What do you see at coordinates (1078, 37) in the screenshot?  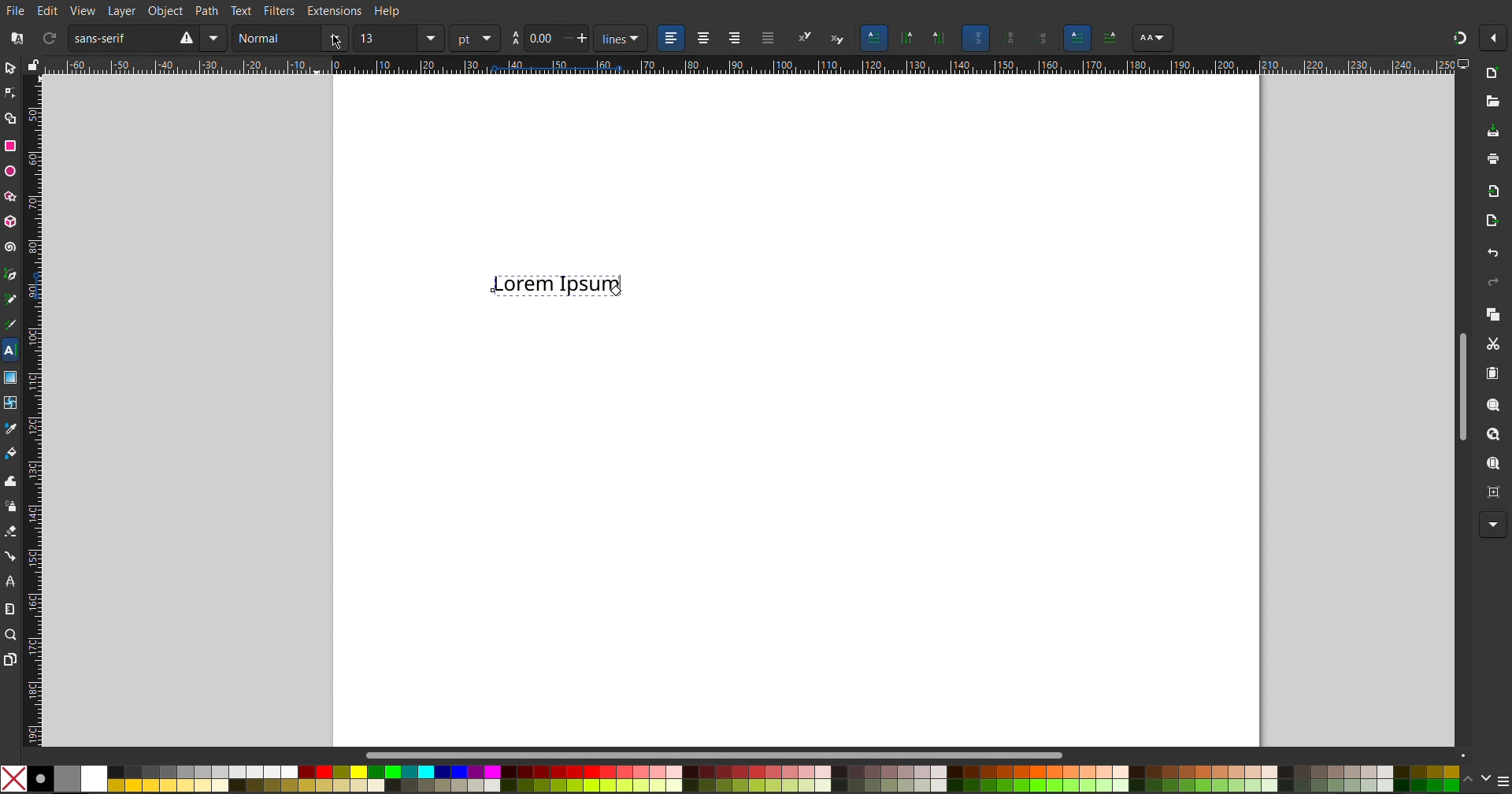 I see `Left to right orientation` at bounding box center [1078, 37].